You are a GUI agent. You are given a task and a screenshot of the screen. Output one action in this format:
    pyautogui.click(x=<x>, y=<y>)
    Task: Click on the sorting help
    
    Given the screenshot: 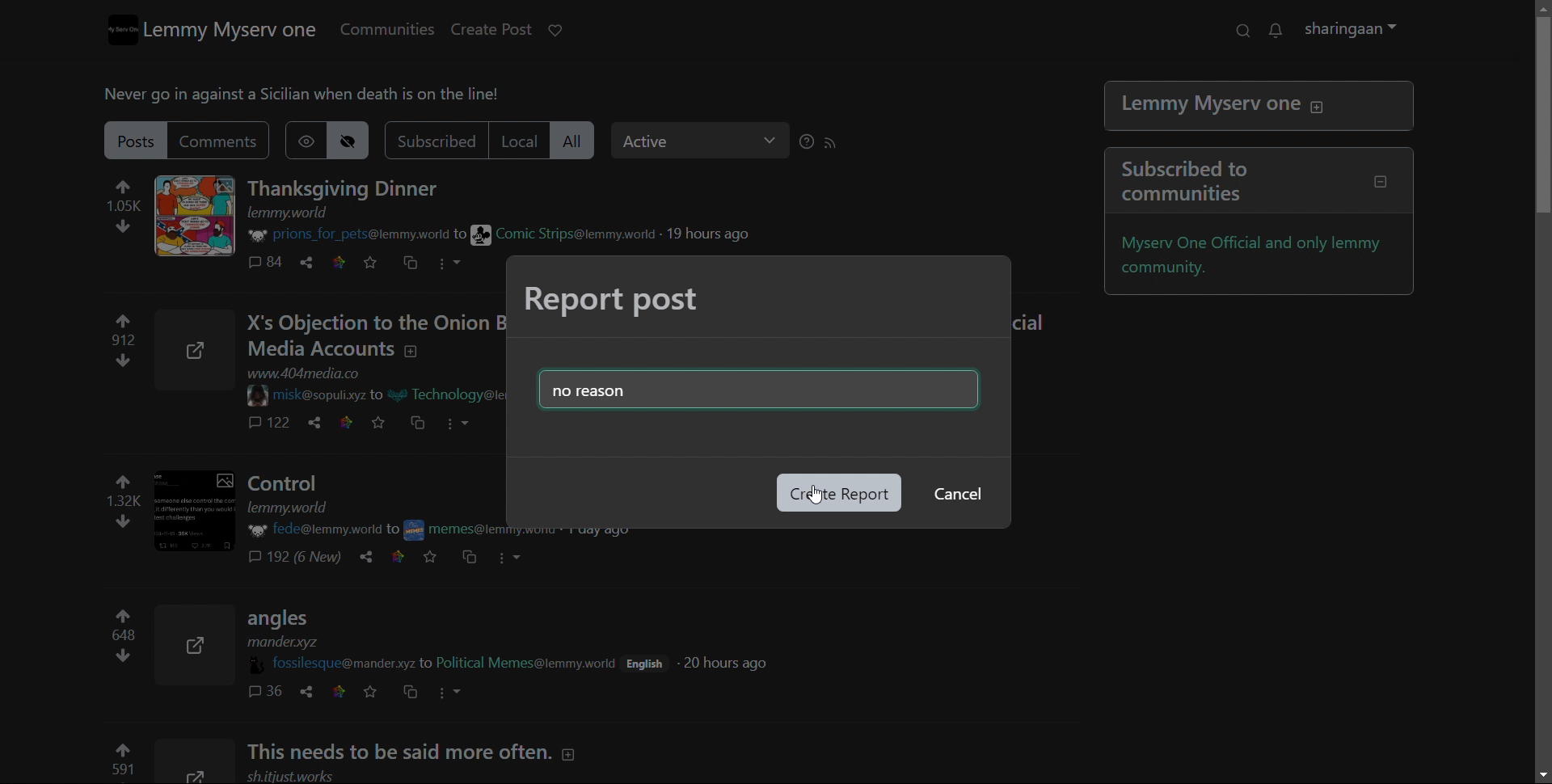 What is the action you would take?
    pyautogui.click(x=815, y=142)
    